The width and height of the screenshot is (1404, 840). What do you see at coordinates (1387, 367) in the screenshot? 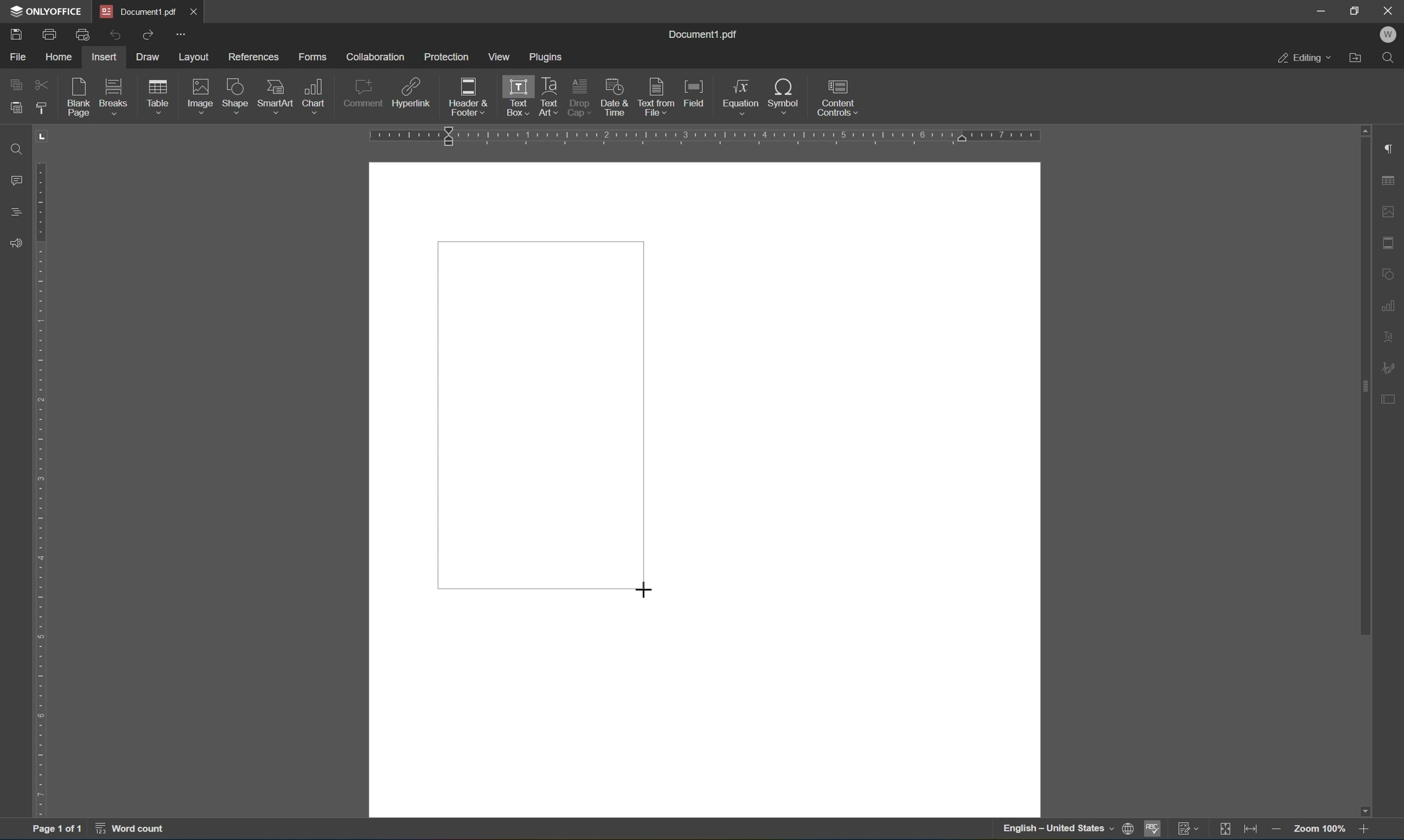
I see `signature settings` at bounding box center [1387, 367].